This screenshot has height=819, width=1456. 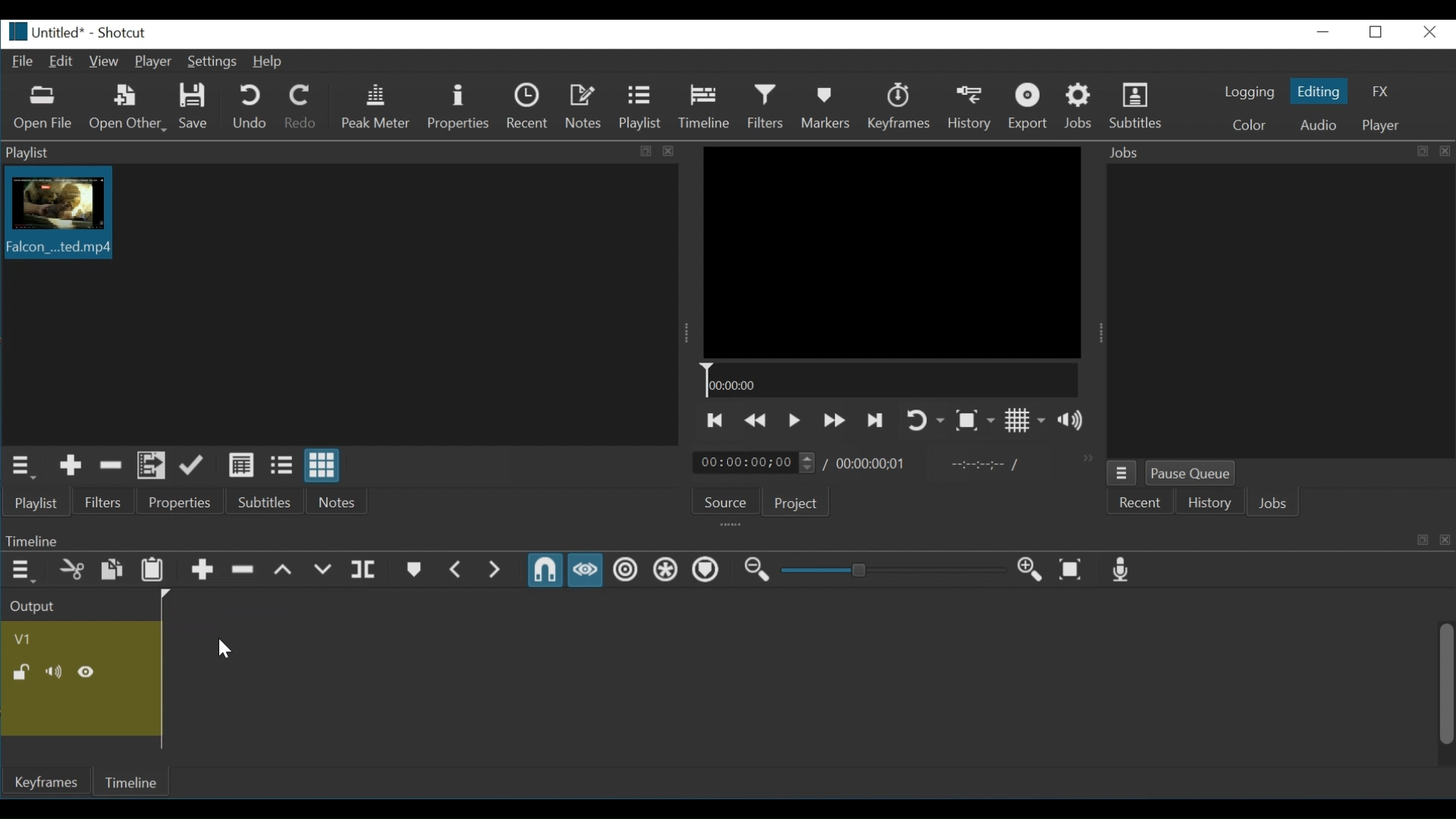 What do you see at coordinates (974, 421) in the screenshot?
I see `Toggle zoom` at bounding box center [974, 421].